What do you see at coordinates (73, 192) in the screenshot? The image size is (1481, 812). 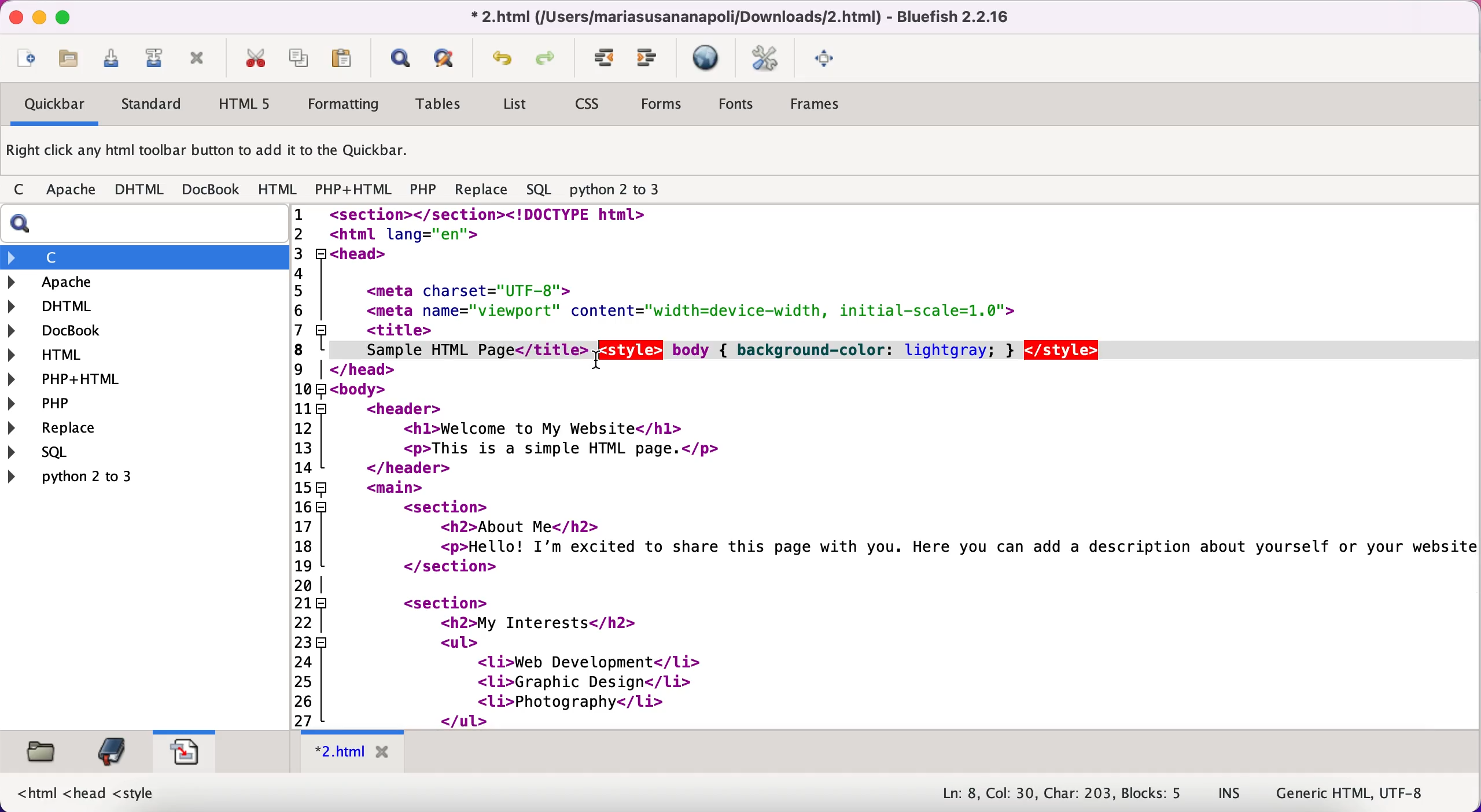 I see `apache` at bounding box center [73, 192].